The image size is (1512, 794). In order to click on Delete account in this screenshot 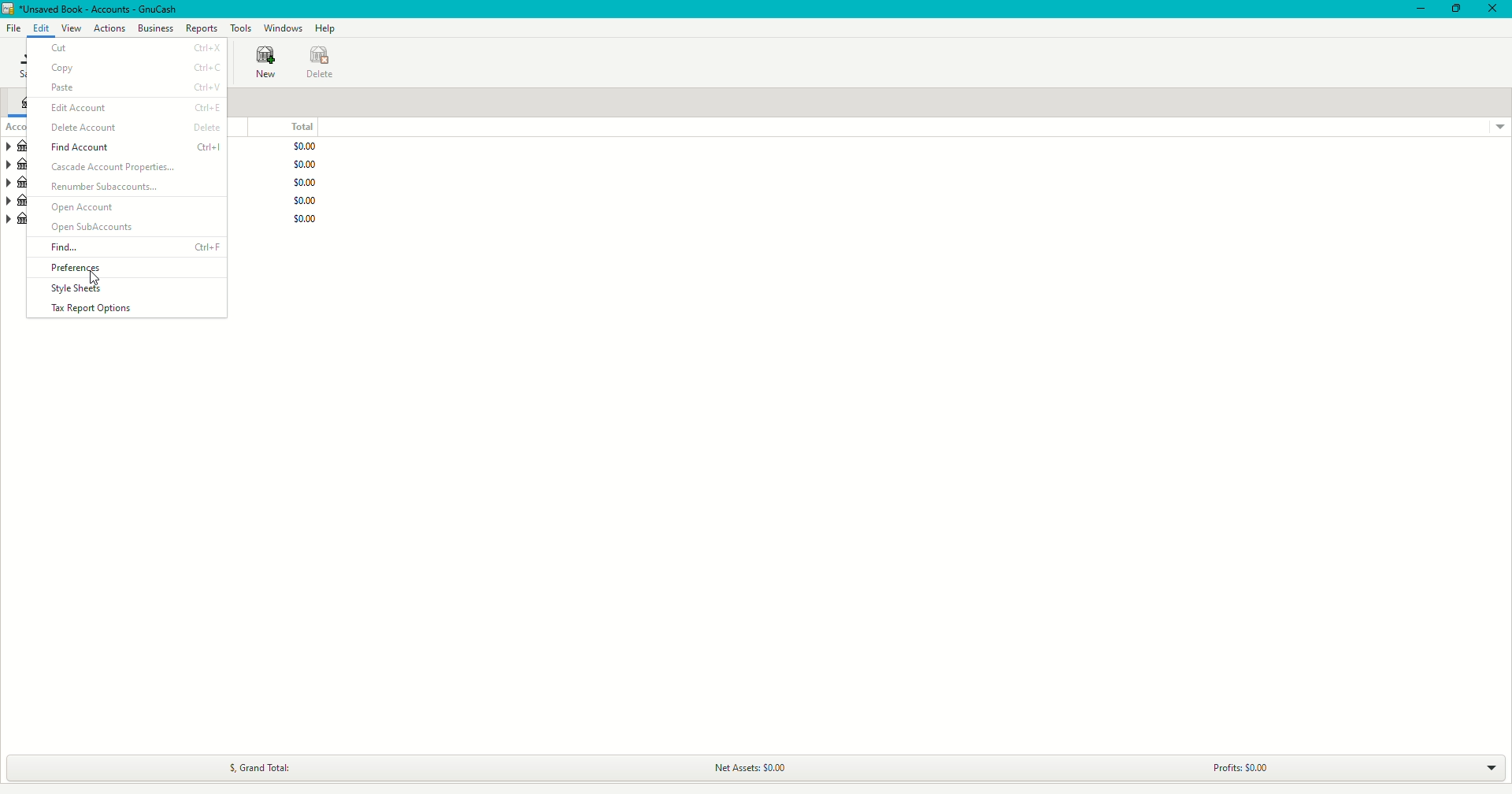, I will do `click(128, 127)`.